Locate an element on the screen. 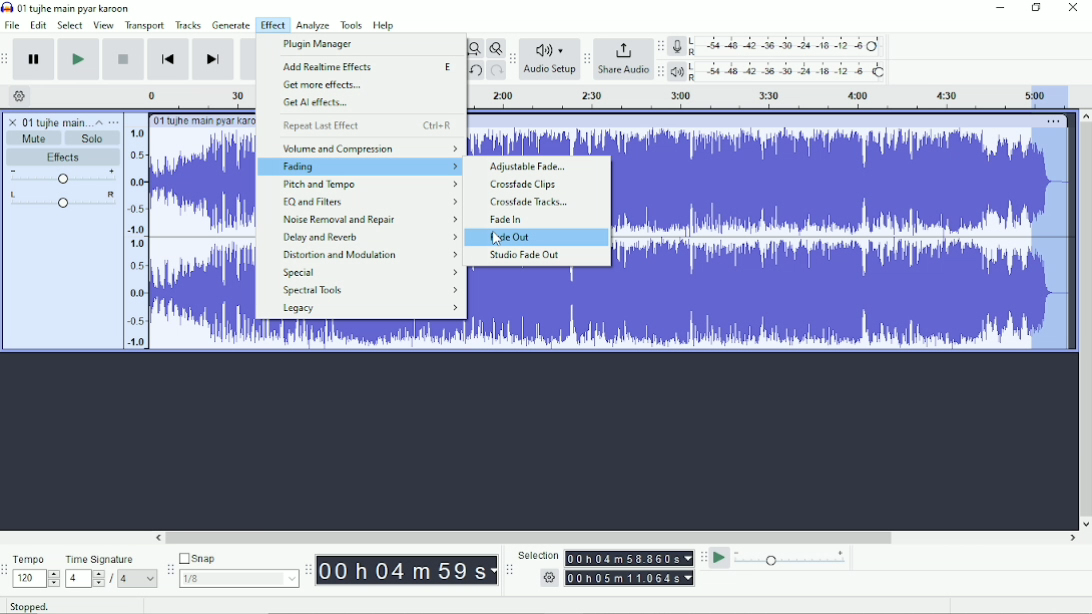  Audacity snapping toolbar is located at coordinates (170, 569).